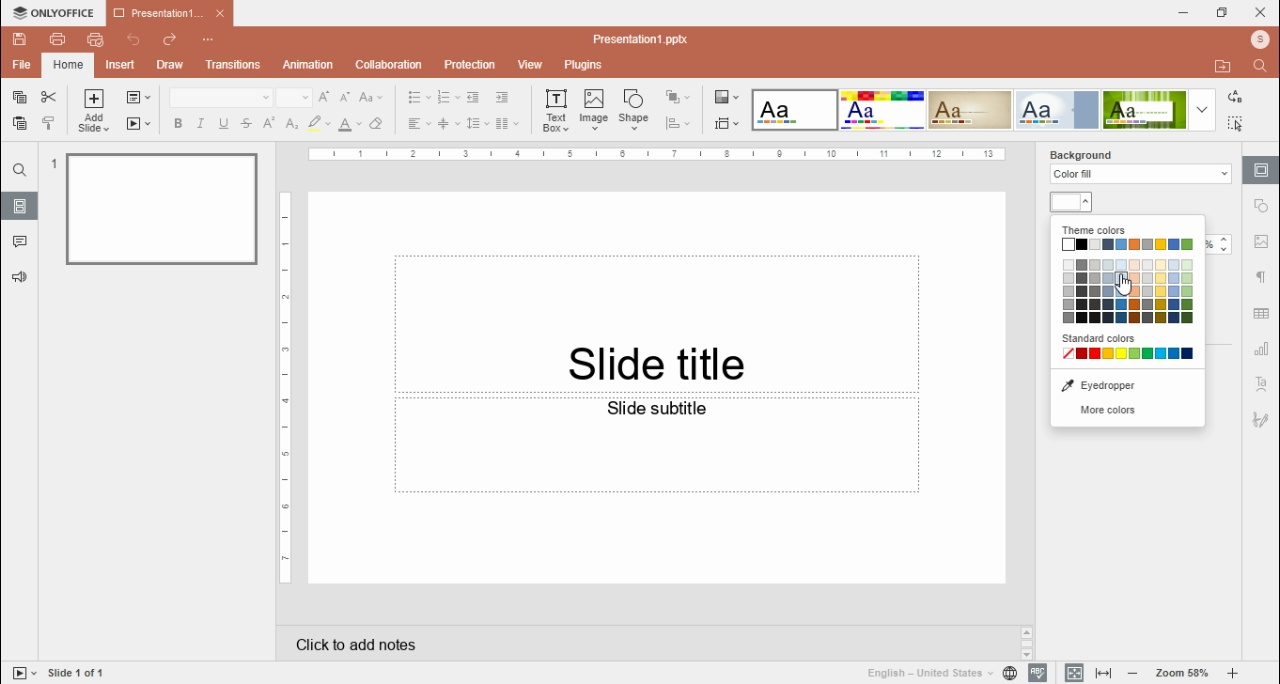  I want to click on quick print, so click(95, 39).